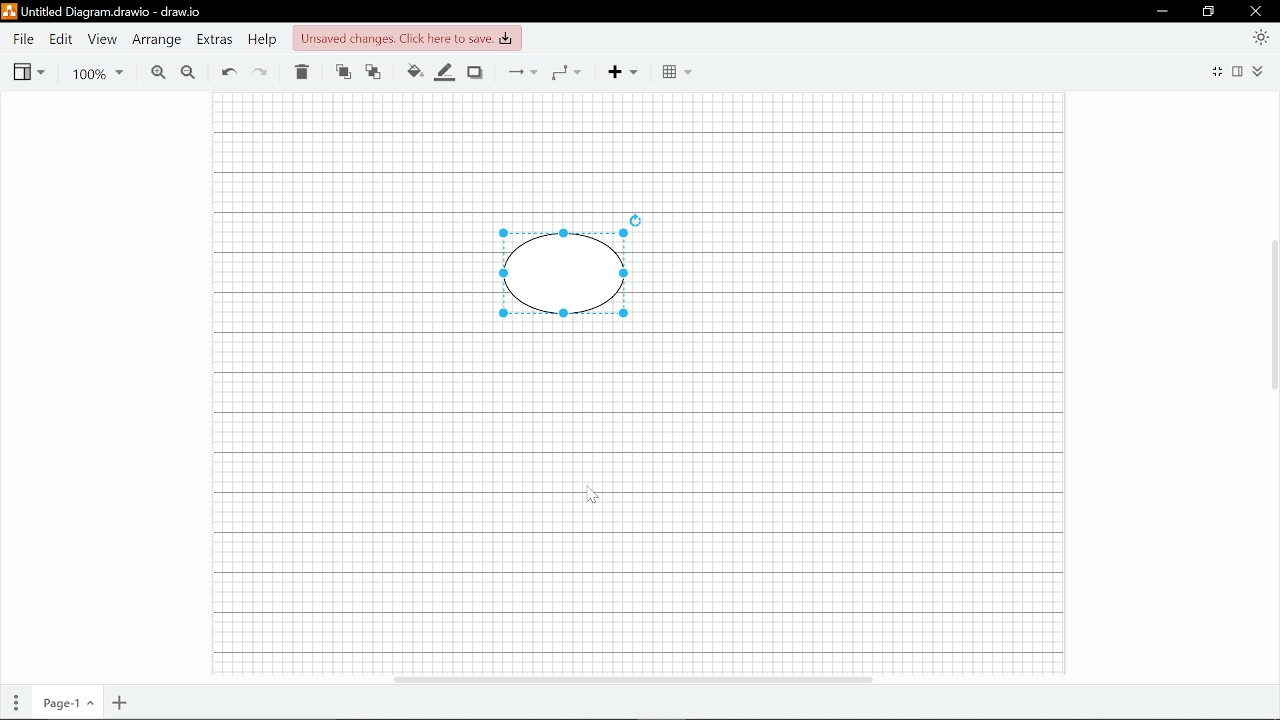 Image resolution: width=1280 pixels, height=720 pixels. I want to click on Add page, so click(117, 704).